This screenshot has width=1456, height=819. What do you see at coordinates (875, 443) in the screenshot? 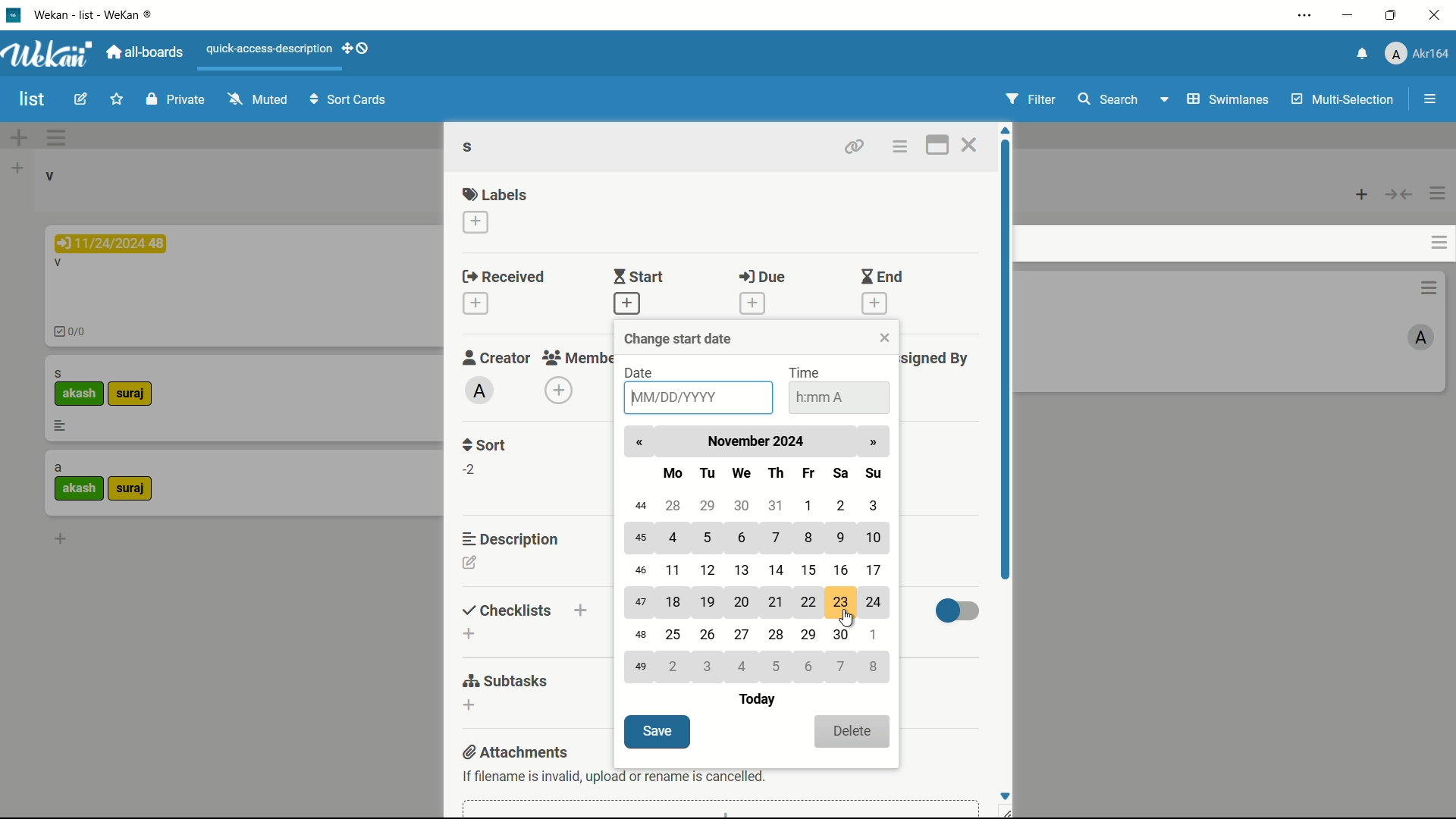
I see `next` at bounding box center [875, 443].